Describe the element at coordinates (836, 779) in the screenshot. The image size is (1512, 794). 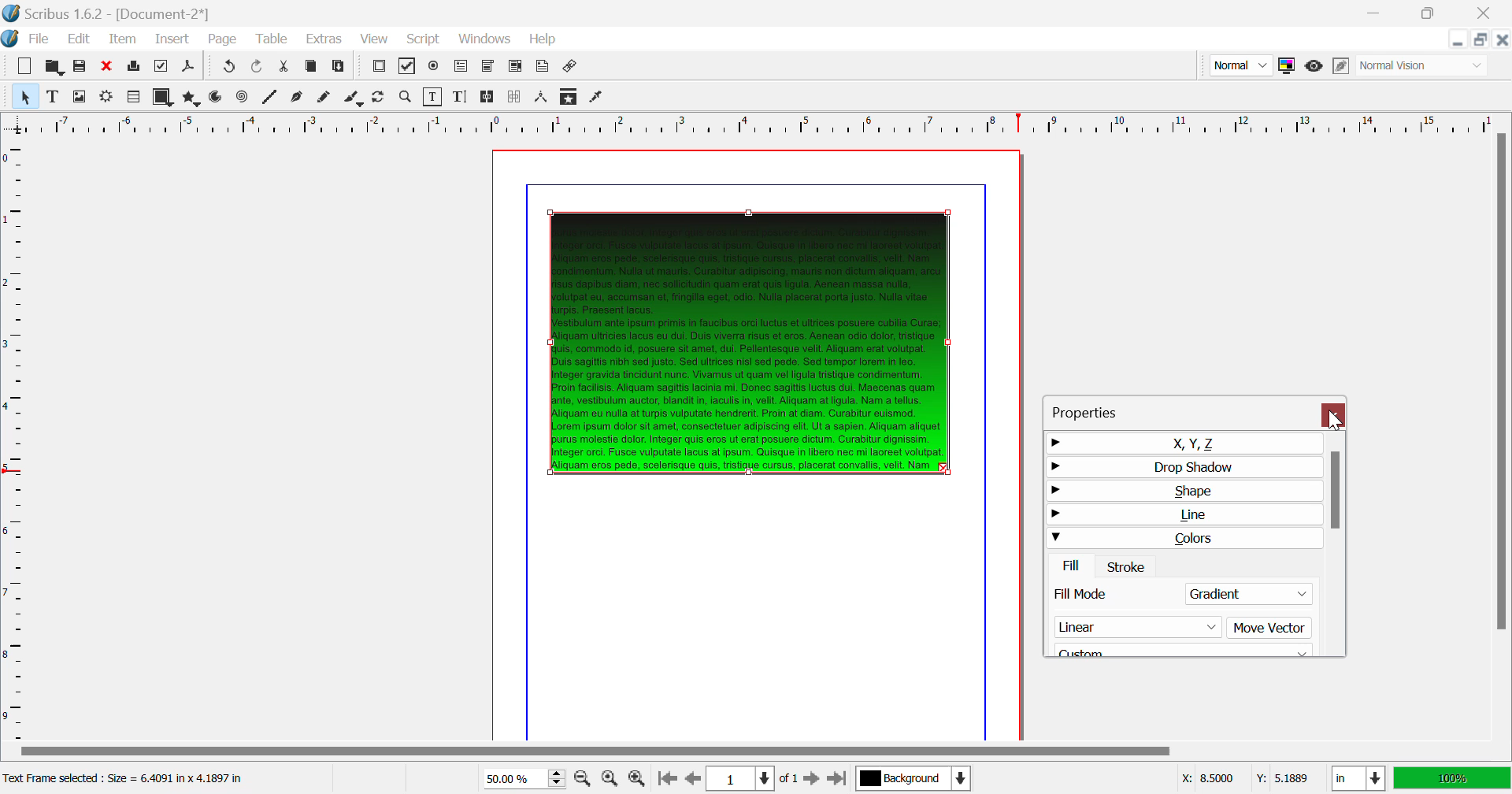
I see `Last Page` at that location.